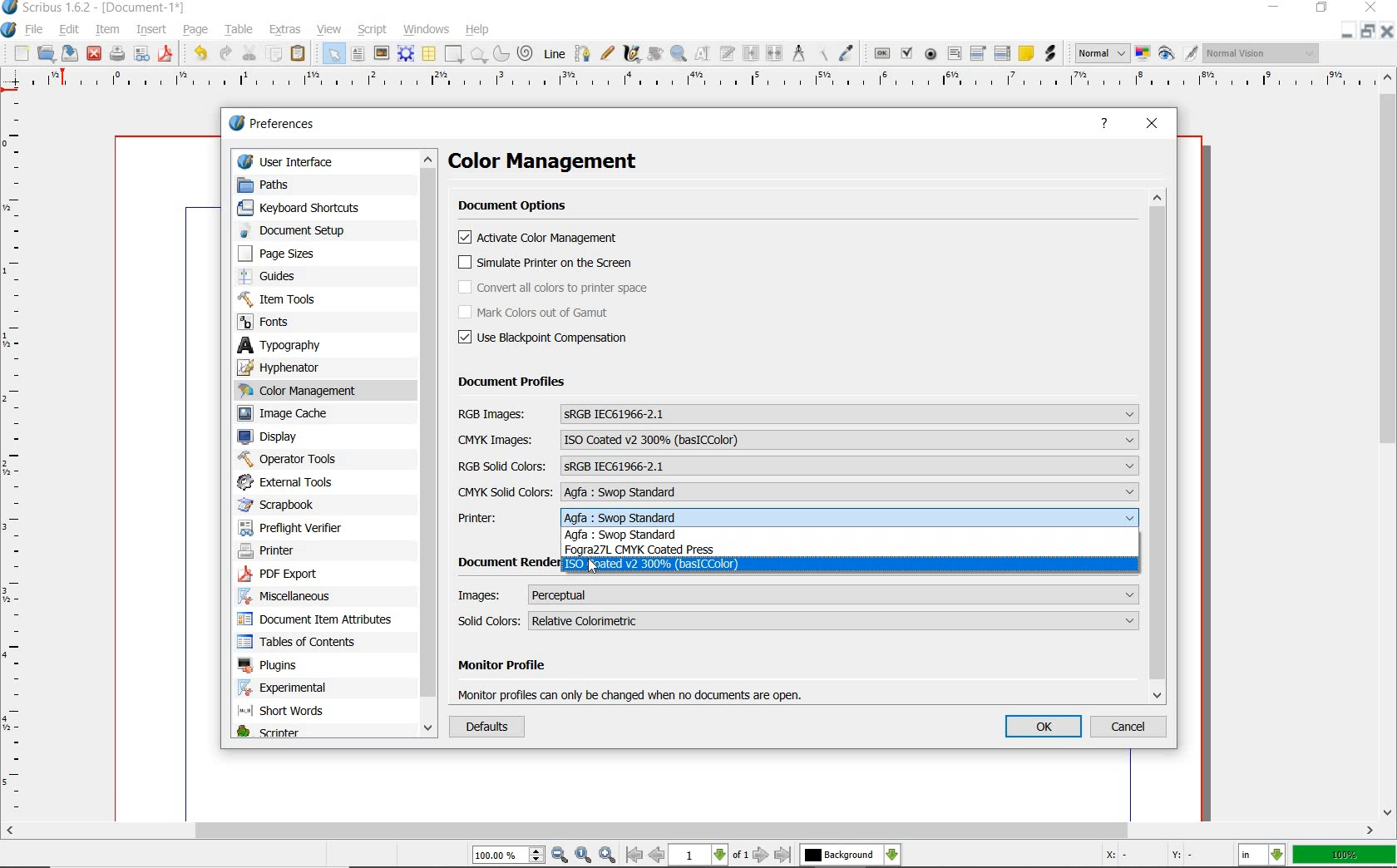 This screenshot has width=1397, height=868. Describe the element at coordinates (428, 445) in the screenshot. I see `scrollbar` at that location.